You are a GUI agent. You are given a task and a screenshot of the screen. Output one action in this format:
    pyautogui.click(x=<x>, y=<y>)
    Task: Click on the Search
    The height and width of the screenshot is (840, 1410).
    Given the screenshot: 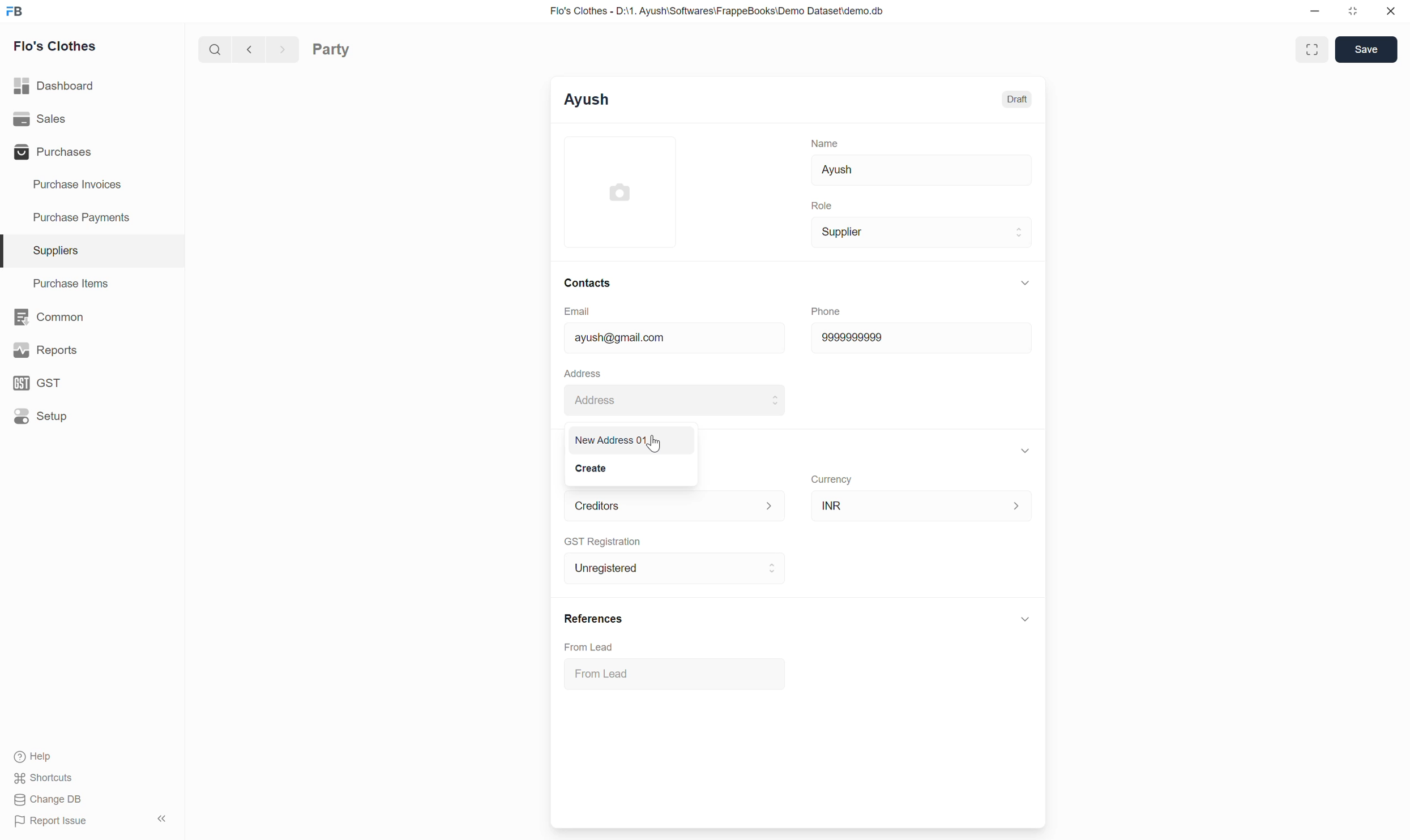 What is the action you would take?
    pyautogui.click(x=215, y=49)
    